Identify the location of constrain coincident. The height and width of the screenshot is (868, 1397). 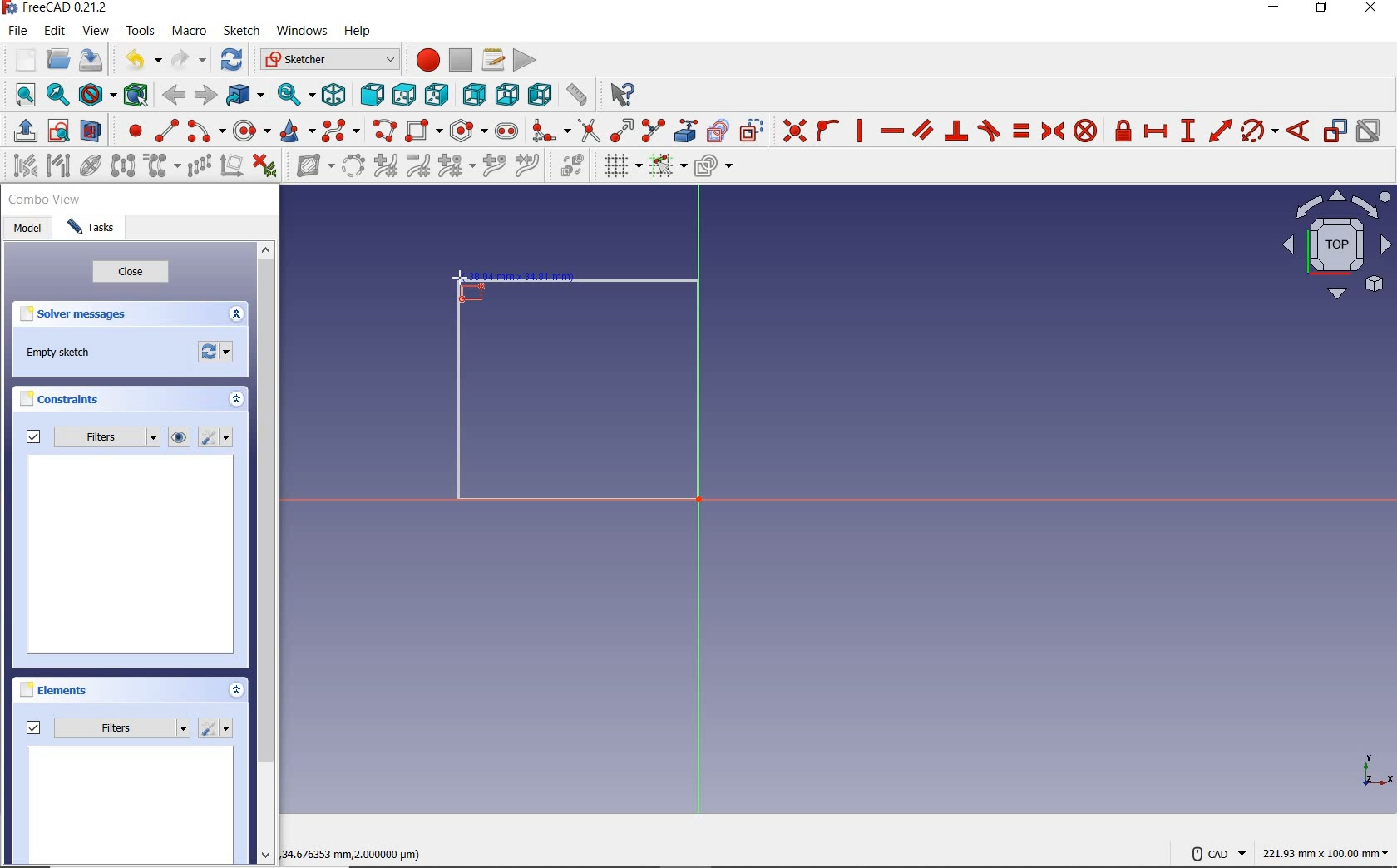
(792, 129).